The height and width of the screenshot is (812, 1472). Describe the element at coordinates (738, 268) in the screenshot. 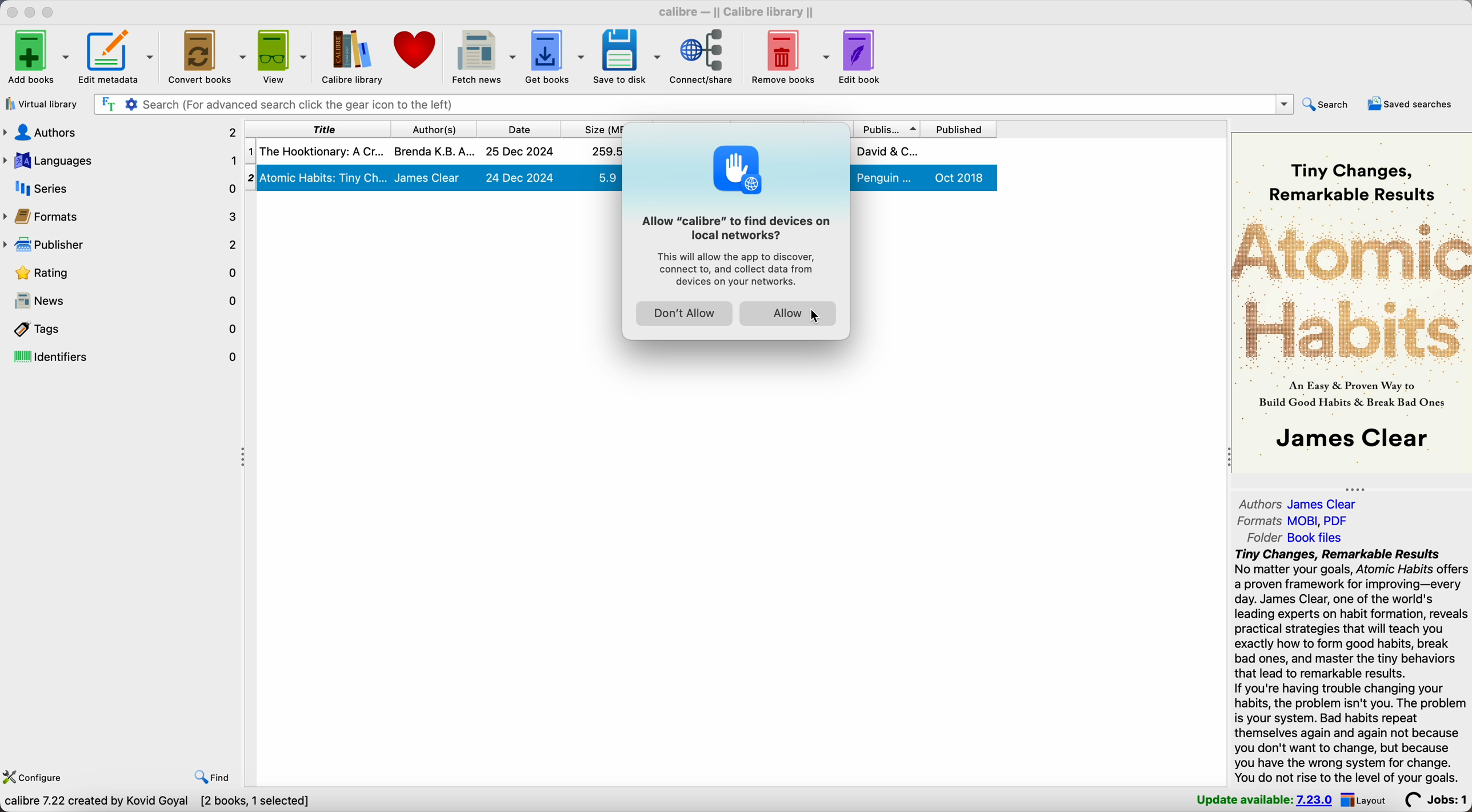

I see `This will allow the app to discover, connect to, and collect data from devices on your network ` at that location.